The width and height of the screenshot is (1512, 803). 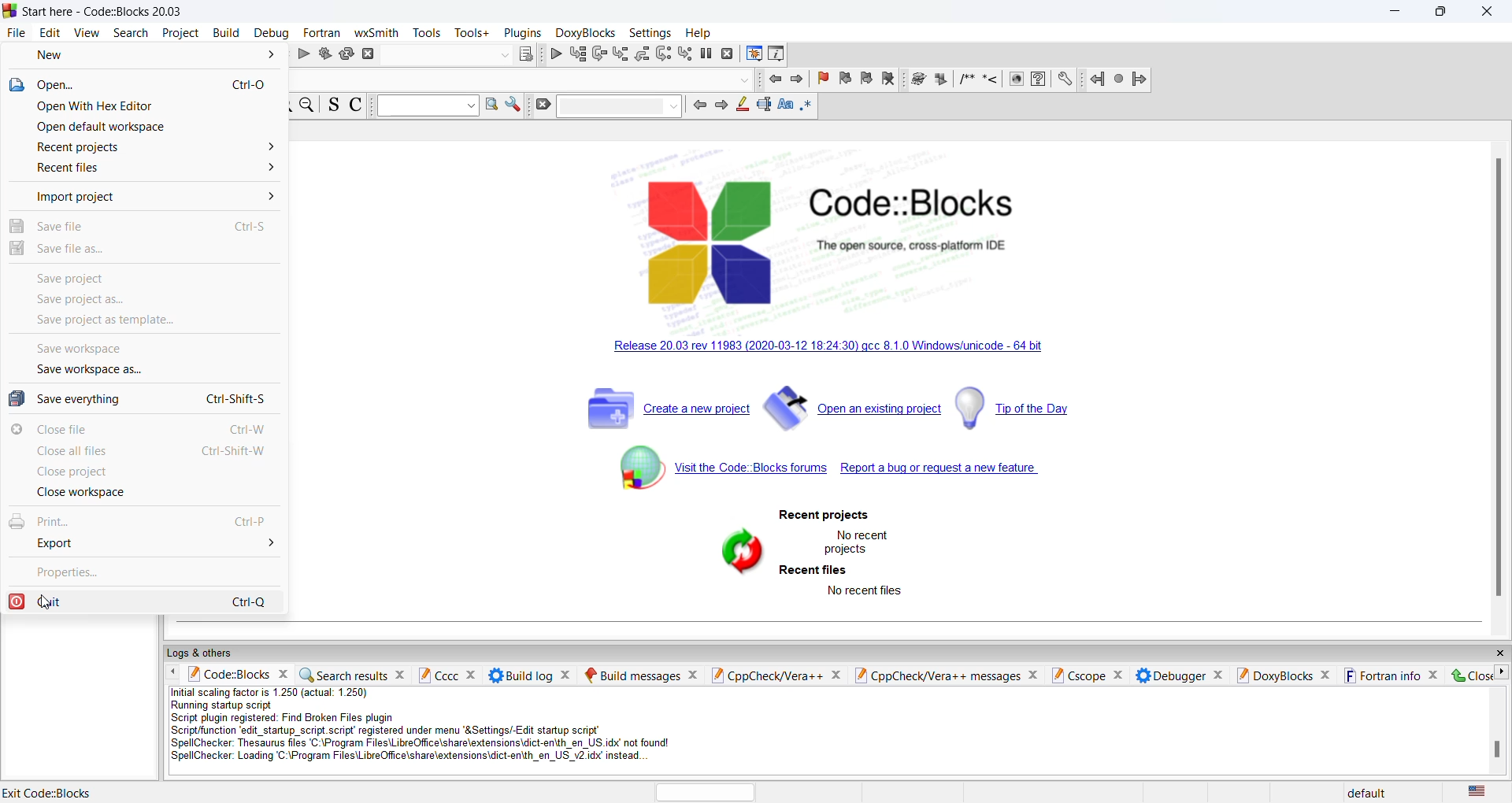 What do you see at coordinates (844, 80) in the screenshot?
I see `previous bookmark` at bounding box center [844, 80].